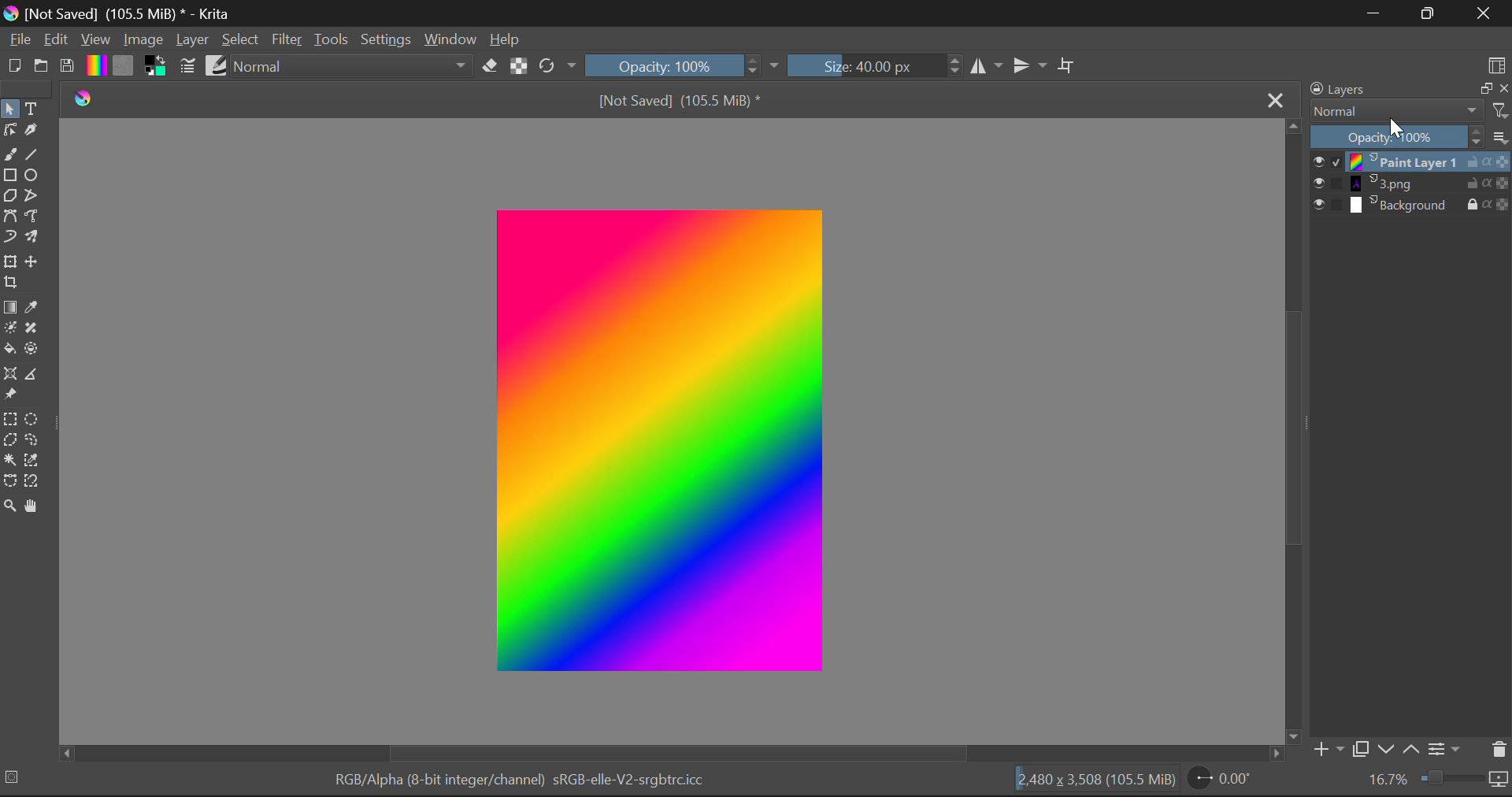 This screenshot has width=1512, height=797. Describe the element at coordinates (1295, 430) in the screenshot. I see `Scroll Bar` at that location.